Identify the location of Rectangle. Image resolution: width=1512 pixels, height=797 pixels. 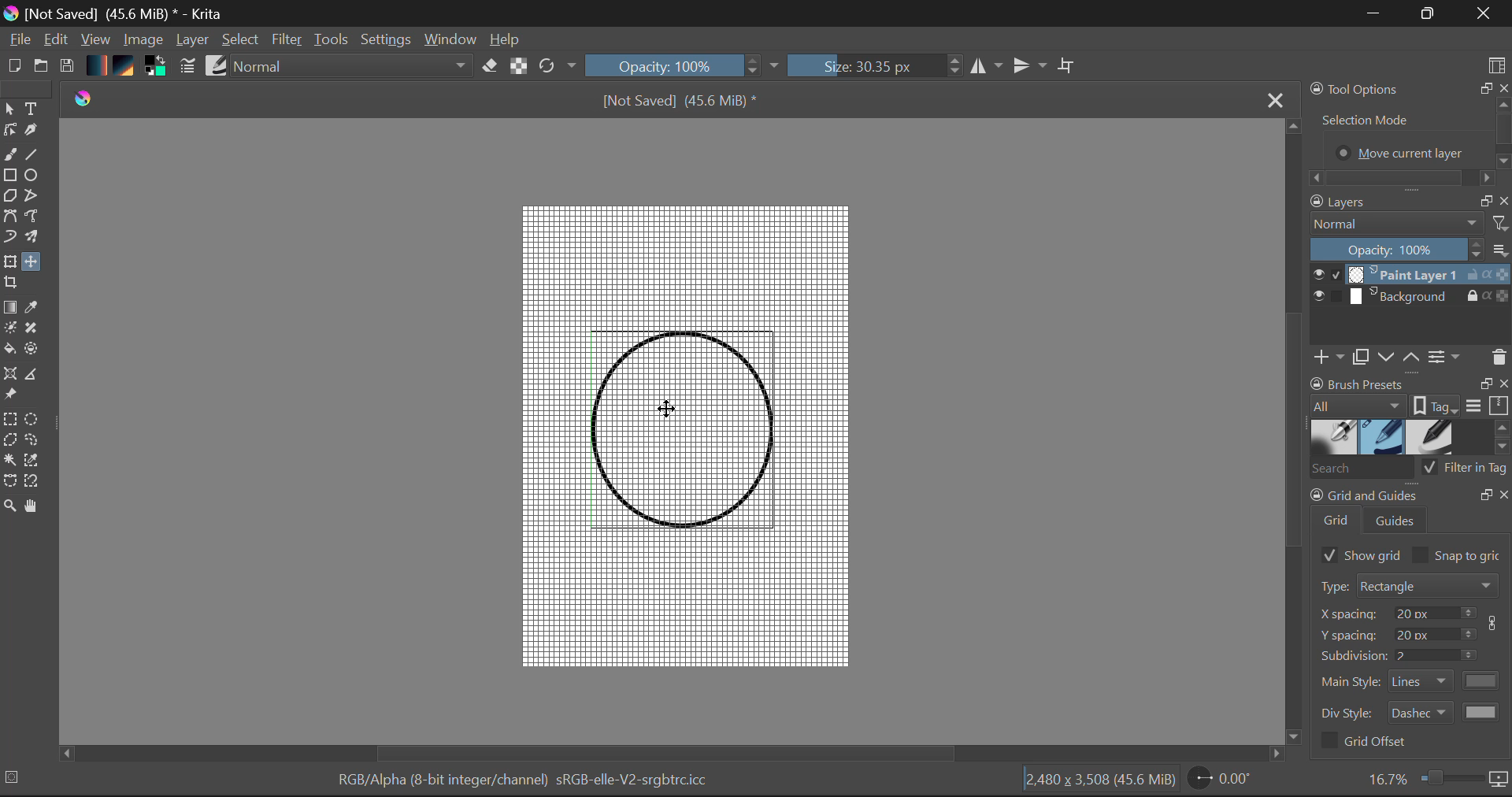
(9, 176).